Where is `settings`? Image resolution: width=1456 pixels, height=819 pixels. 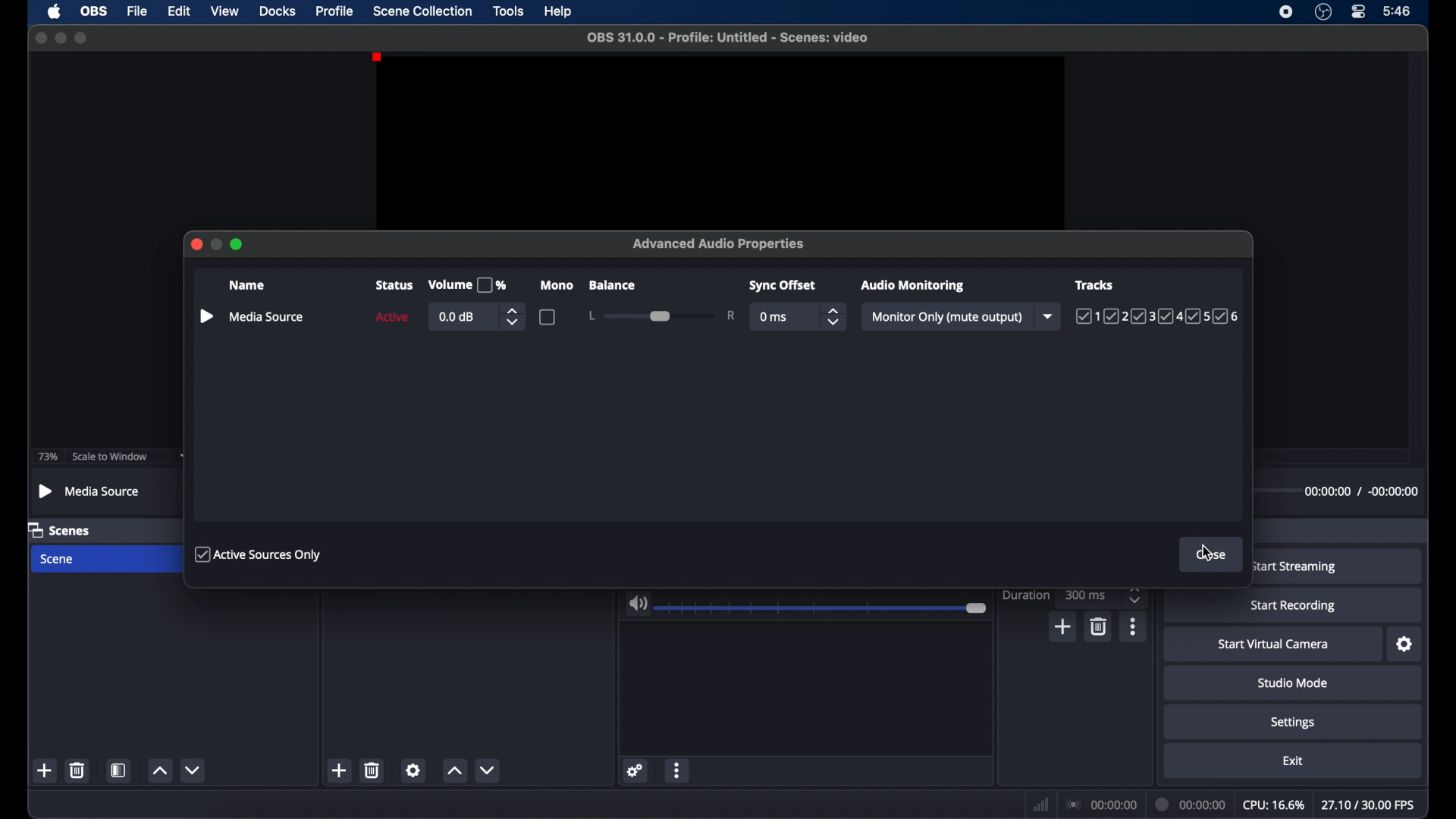 settings is located at coordinates (634, 770).